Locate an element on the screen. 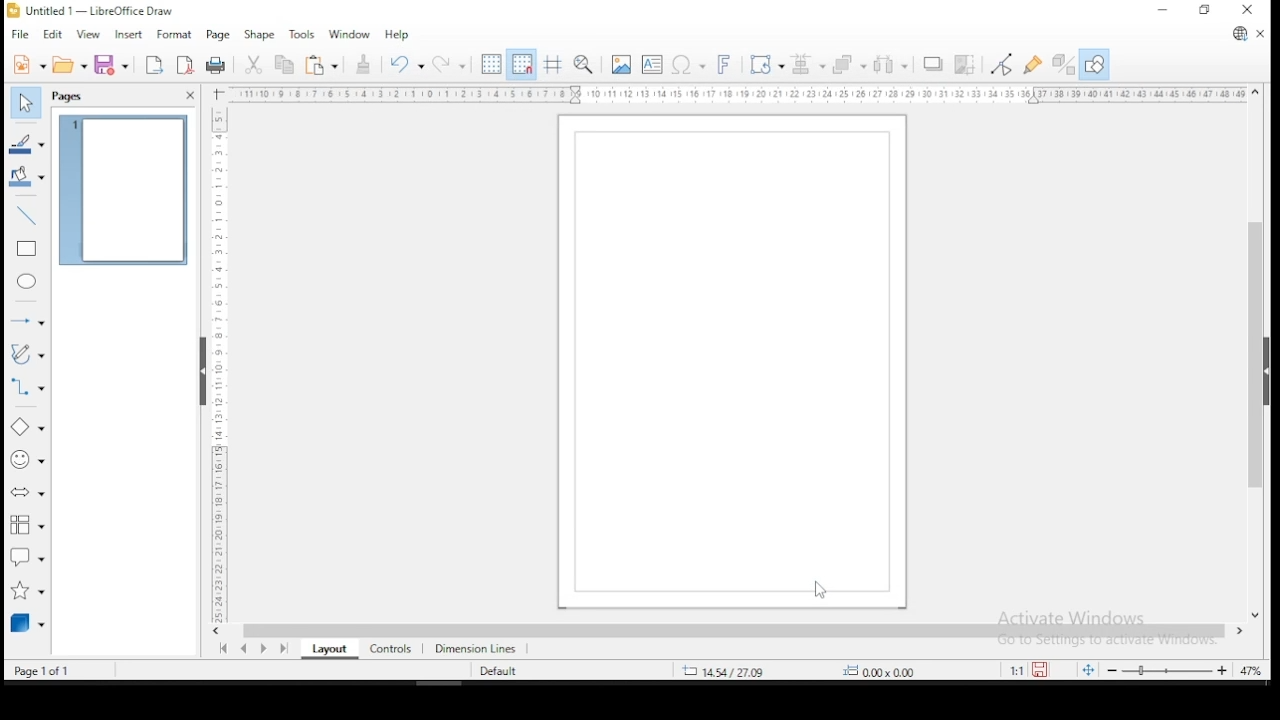 The height and width of the screenshot is (720, 1280). insert line is located at coordinates (28, 216).